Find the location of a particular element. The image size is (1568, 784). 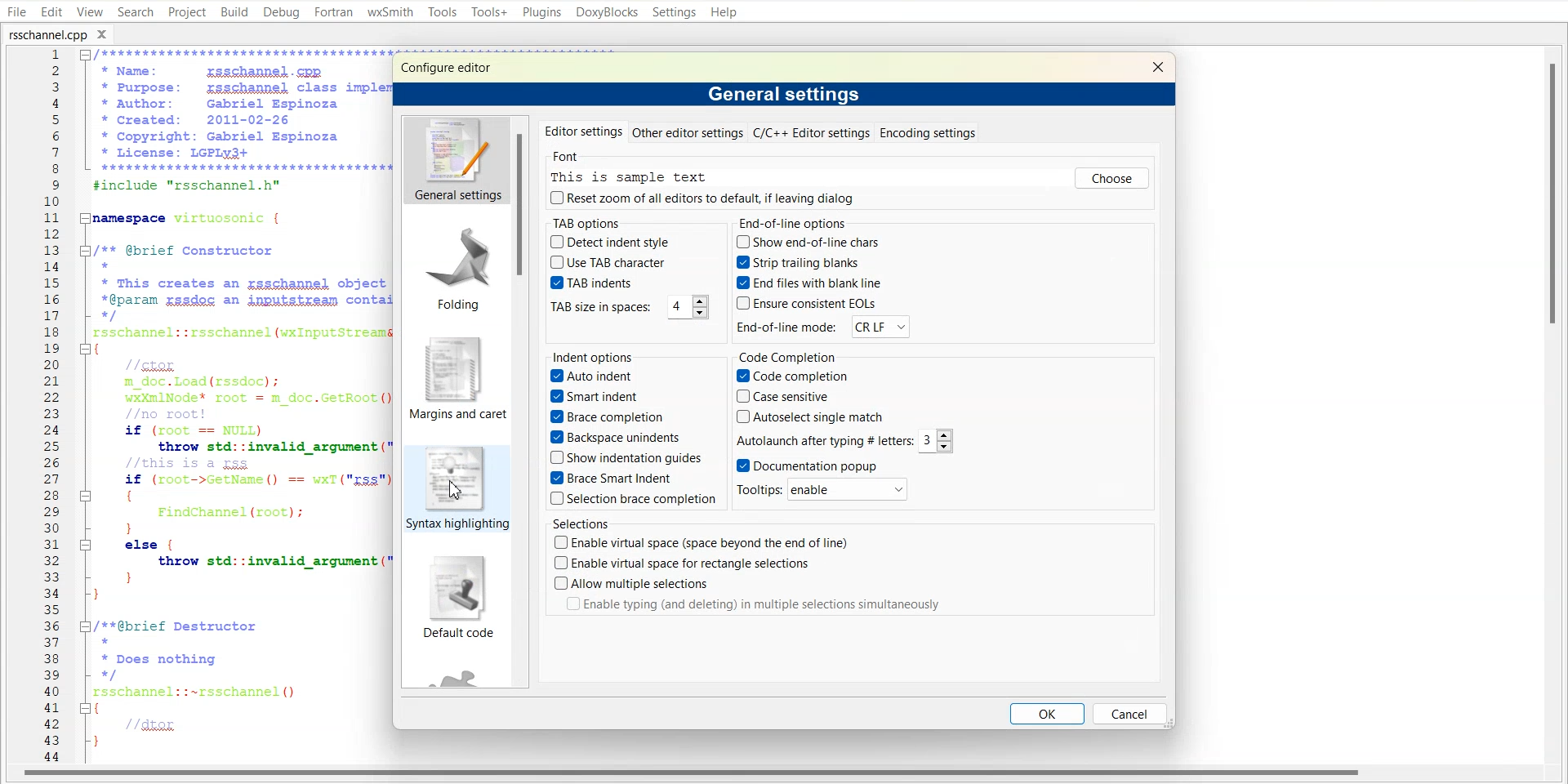

Documentation Popup is located at coordinates (809, 466).